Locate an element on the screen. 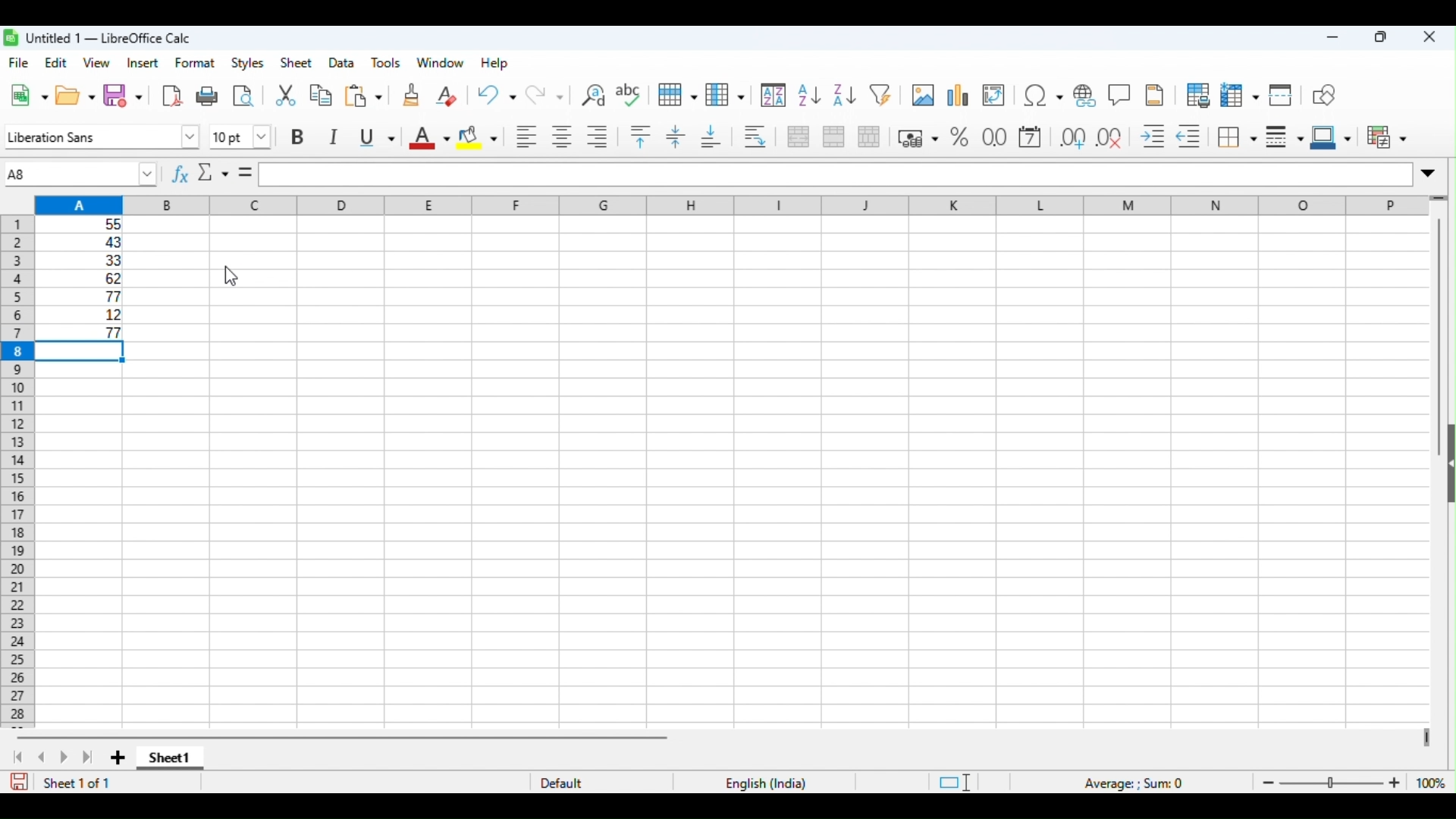 The width and height of the screenshot is (1456, 819). standard selection is located at coordinates (952, 782).